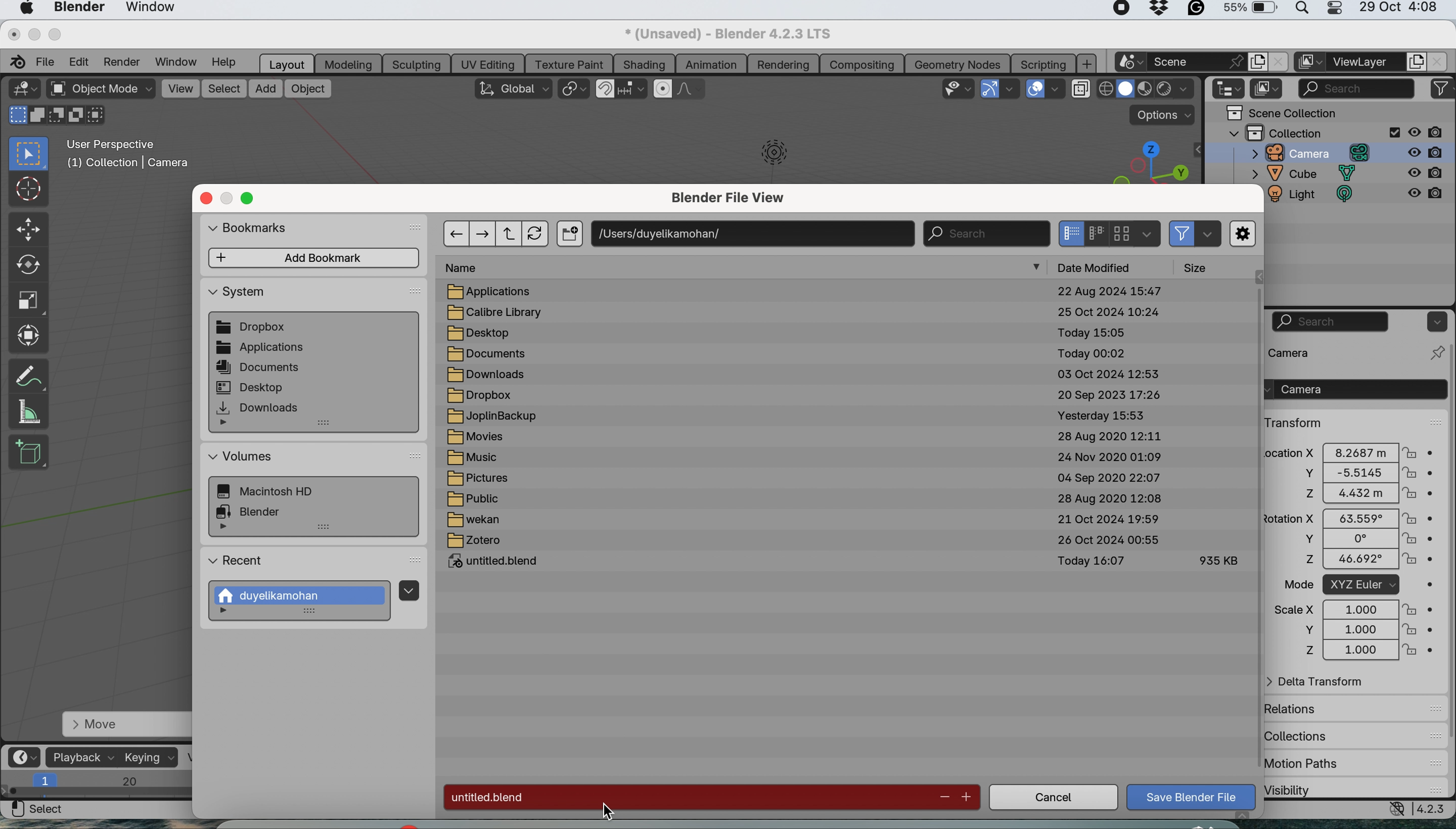 The height and width of the screenshot is (829, 1456). Describe the element at coordinates (1365, 63) in the screenshot. I see `view layer` at that location.